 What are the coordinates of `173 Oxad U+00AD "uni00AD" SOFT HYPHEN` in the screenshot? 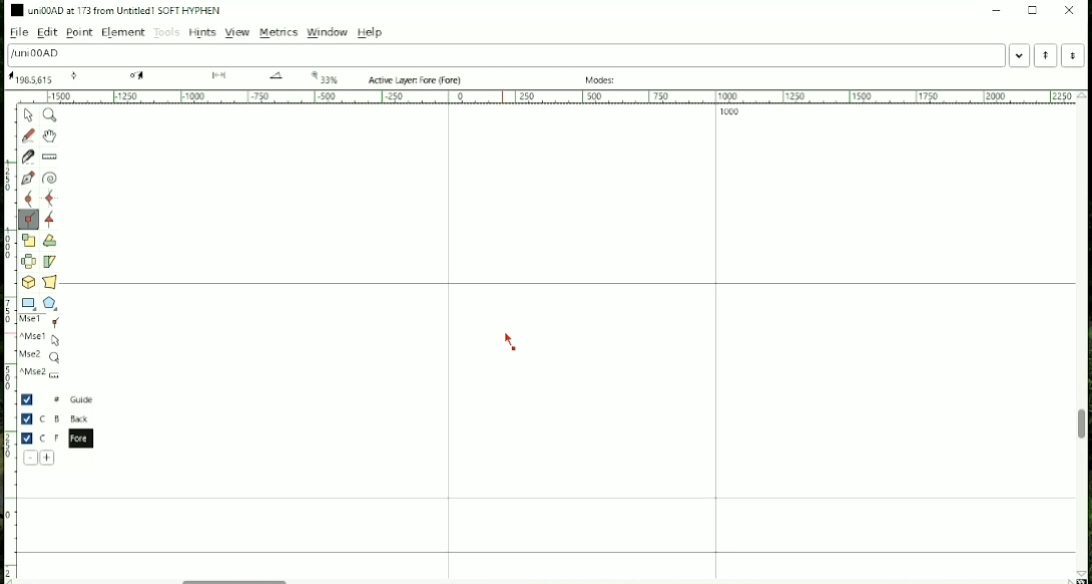 It's located at (30, 78).